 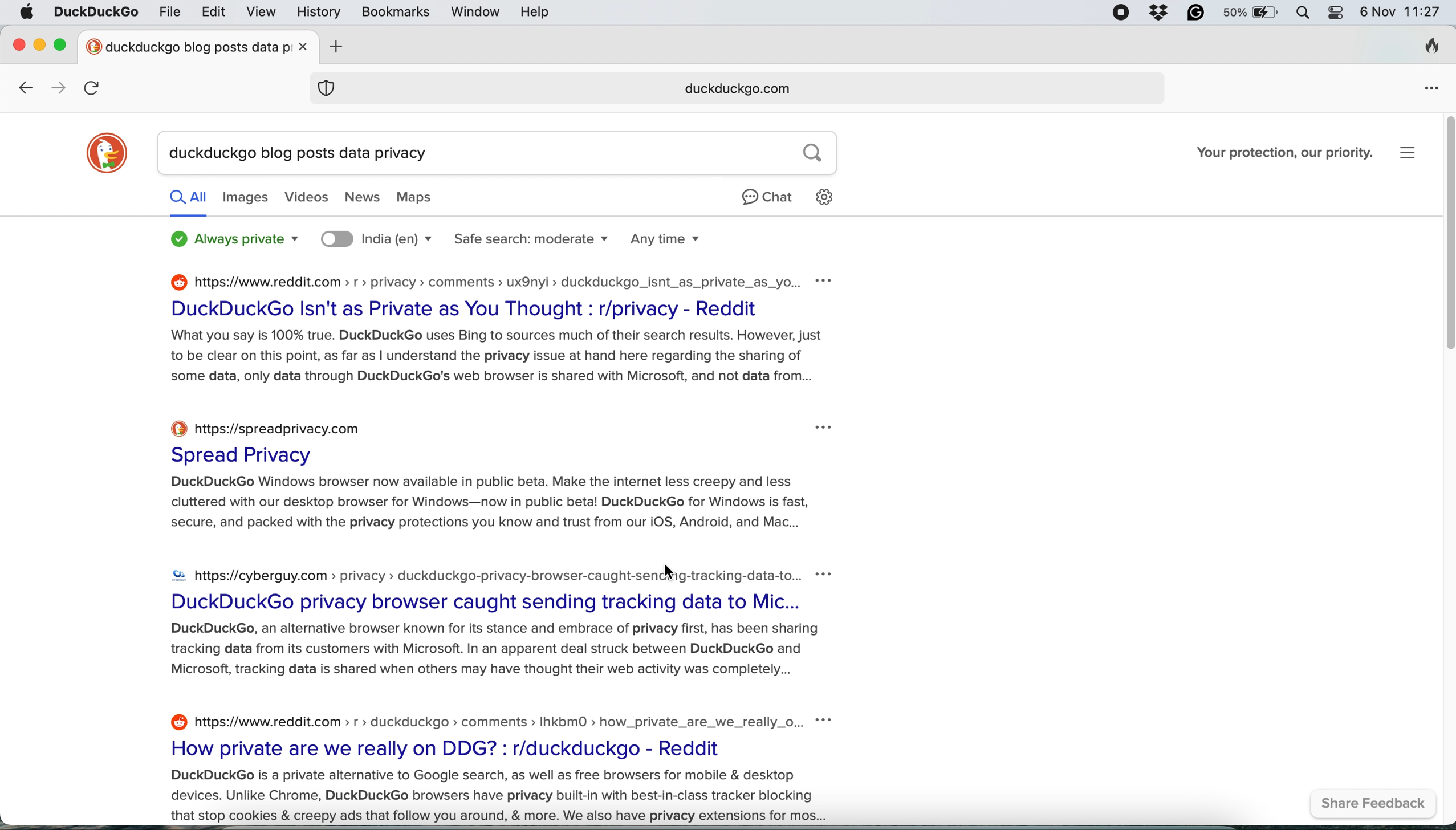 I want to click on window, so click(x=475, y=13).